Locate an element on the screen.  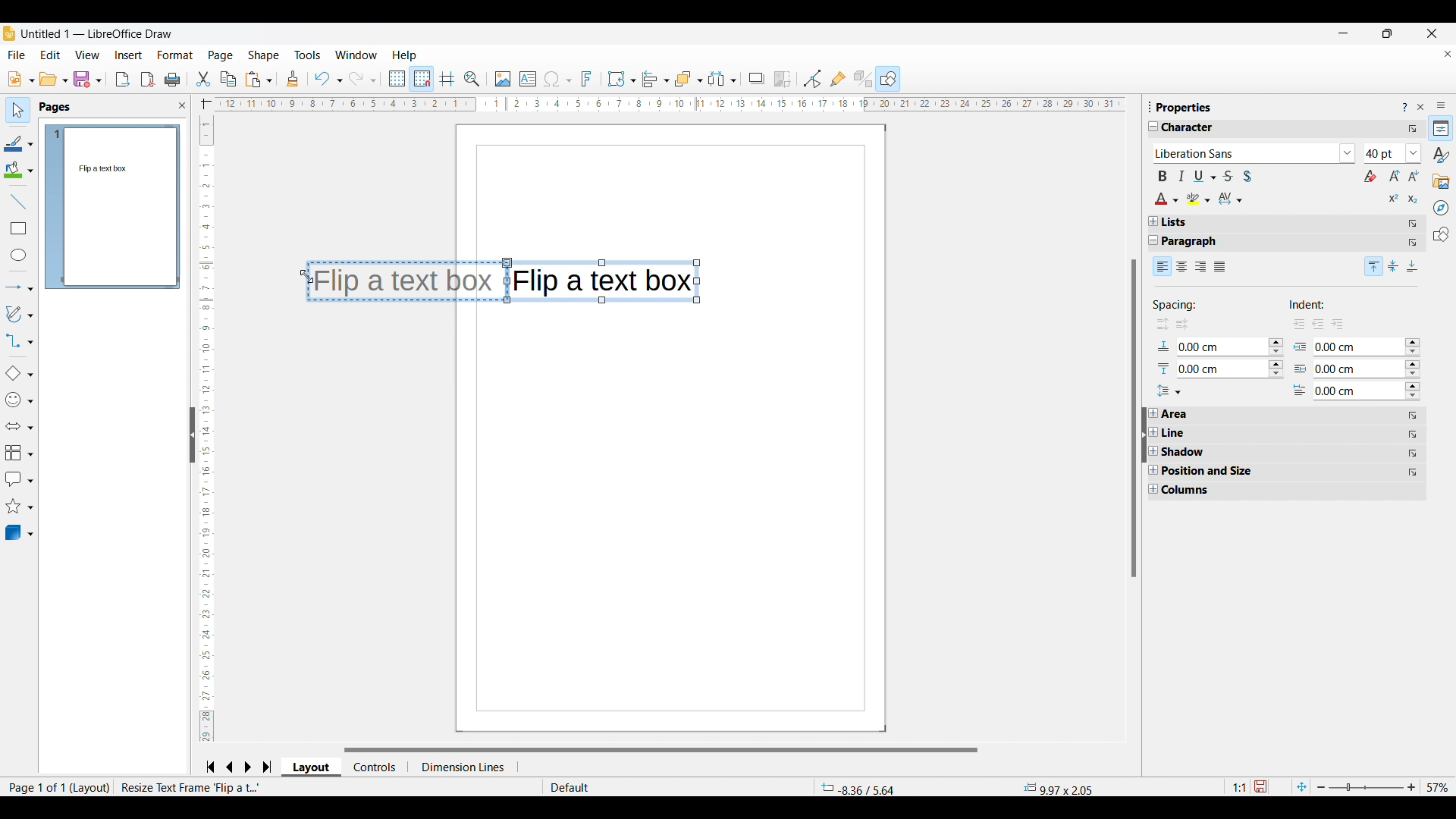
Display grid is located at coordinates (396, 79).